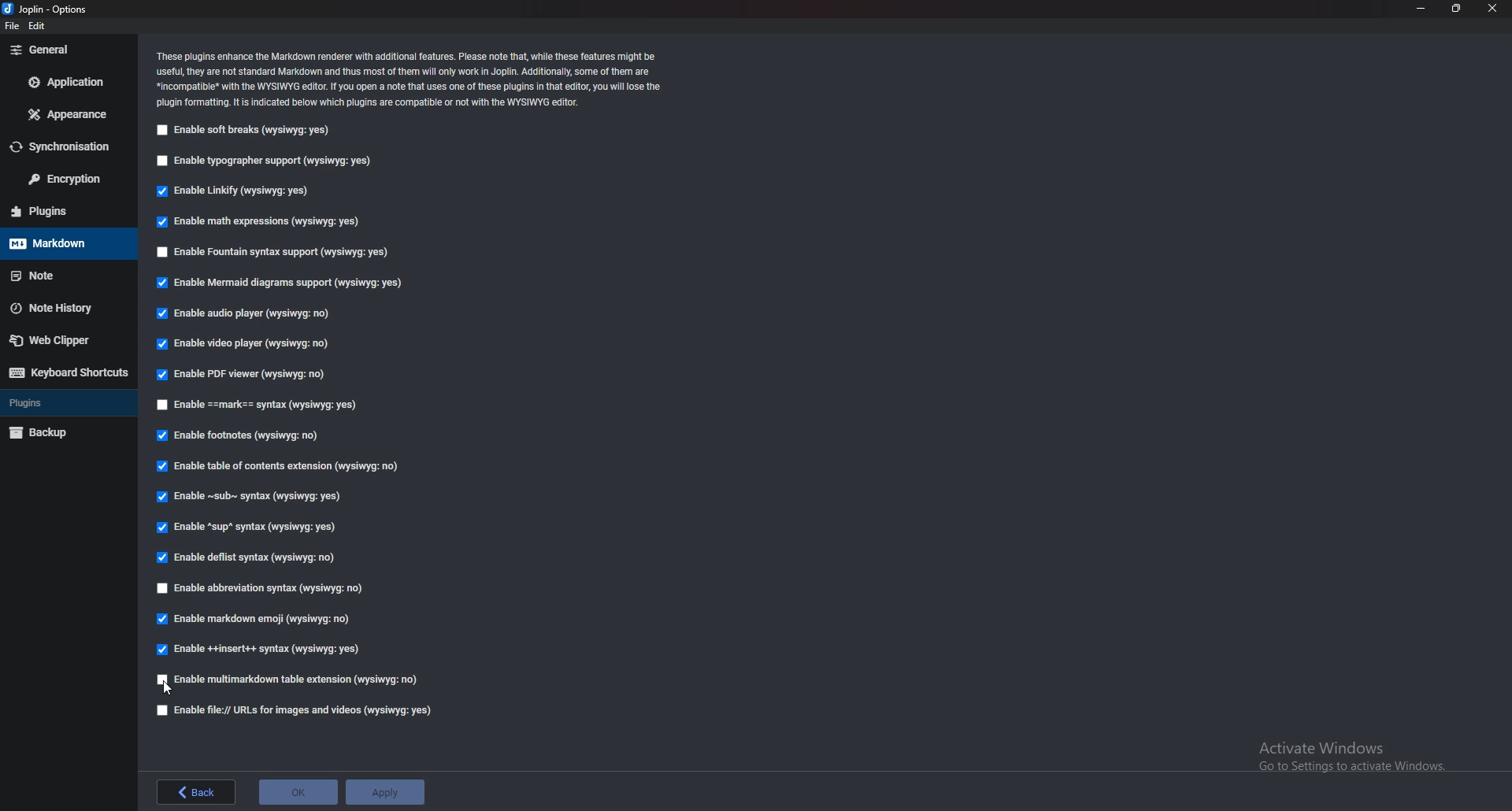 The height and width of the screenshot is (811, 1512). What do you see at coordinates (246, 557) in the screenshot?
I see `enable deflist syntax` at bounding box center [246, 557].